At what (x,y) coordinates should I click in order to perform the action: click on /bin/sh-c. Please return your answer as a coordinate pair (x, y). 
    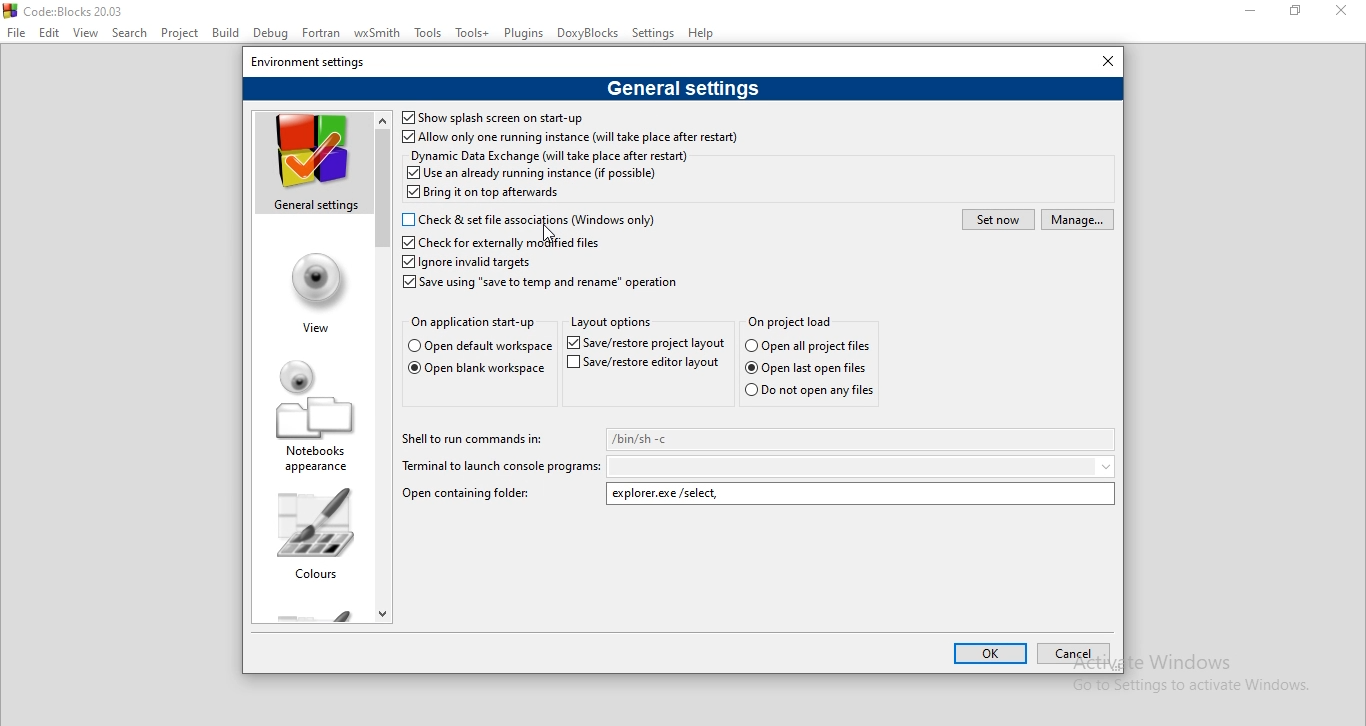
    Looking at the image, I should click on (862, 439).